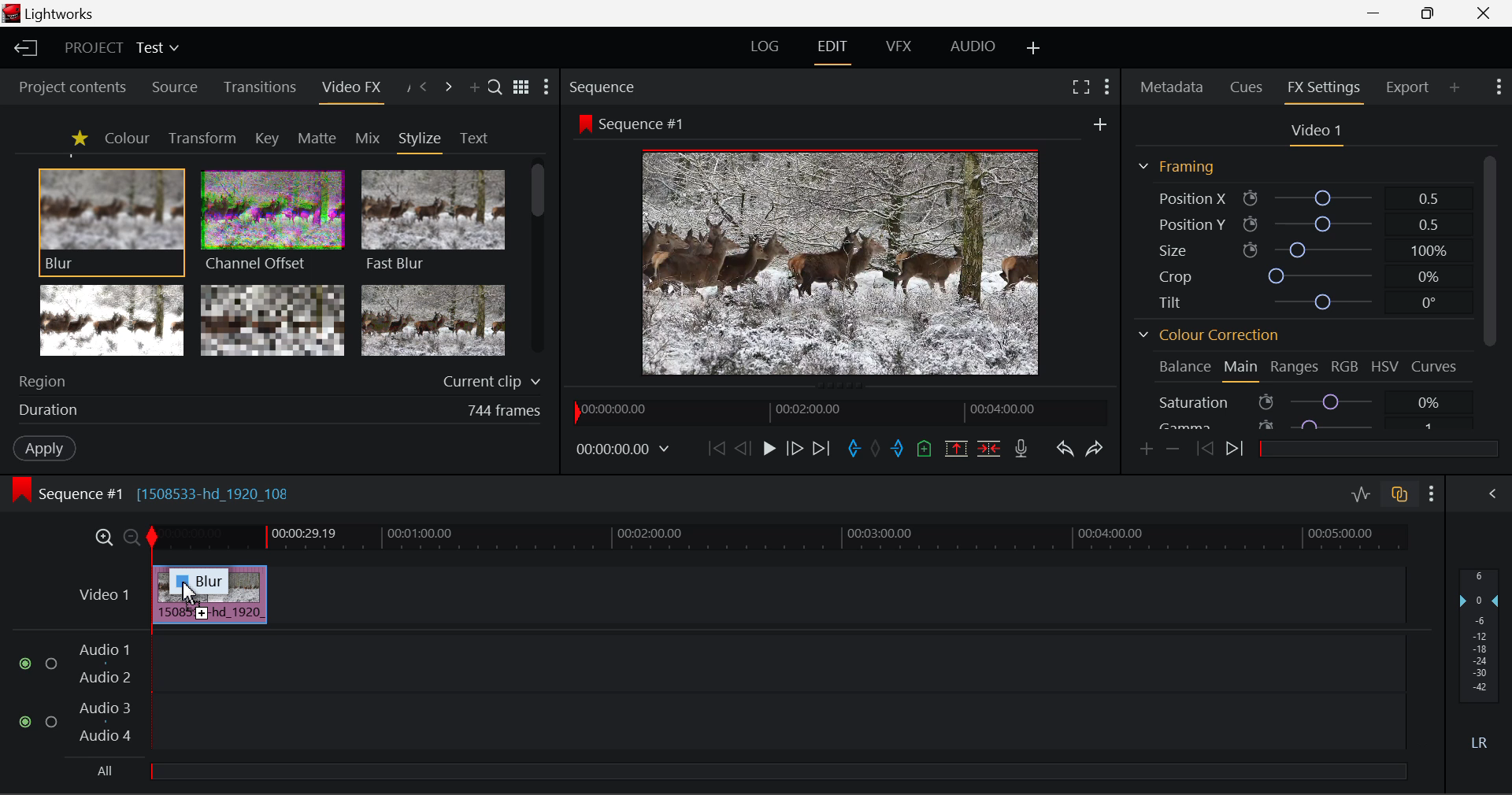  What do you see at coordinates (743, 449) in the screenshot?
I see `Go Back` at bounding box center [743, 449].